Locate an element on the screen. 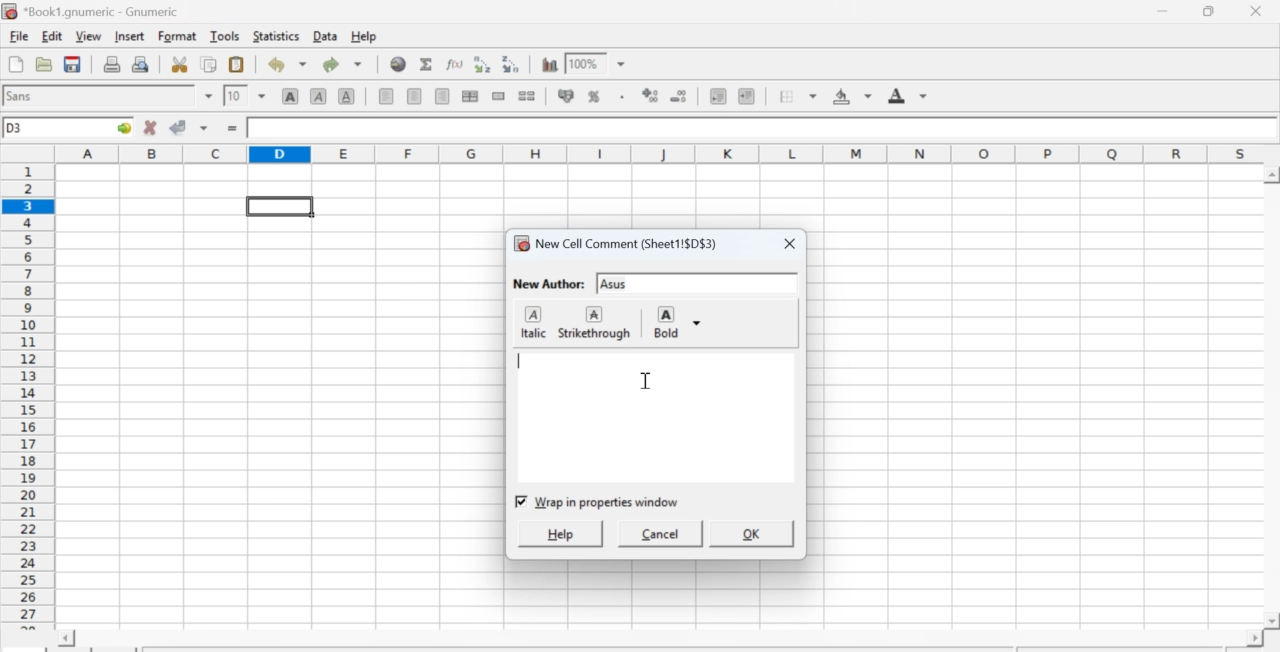 This screenshot has width=1280, height=652. cursor is located at coordinates (645, 380).